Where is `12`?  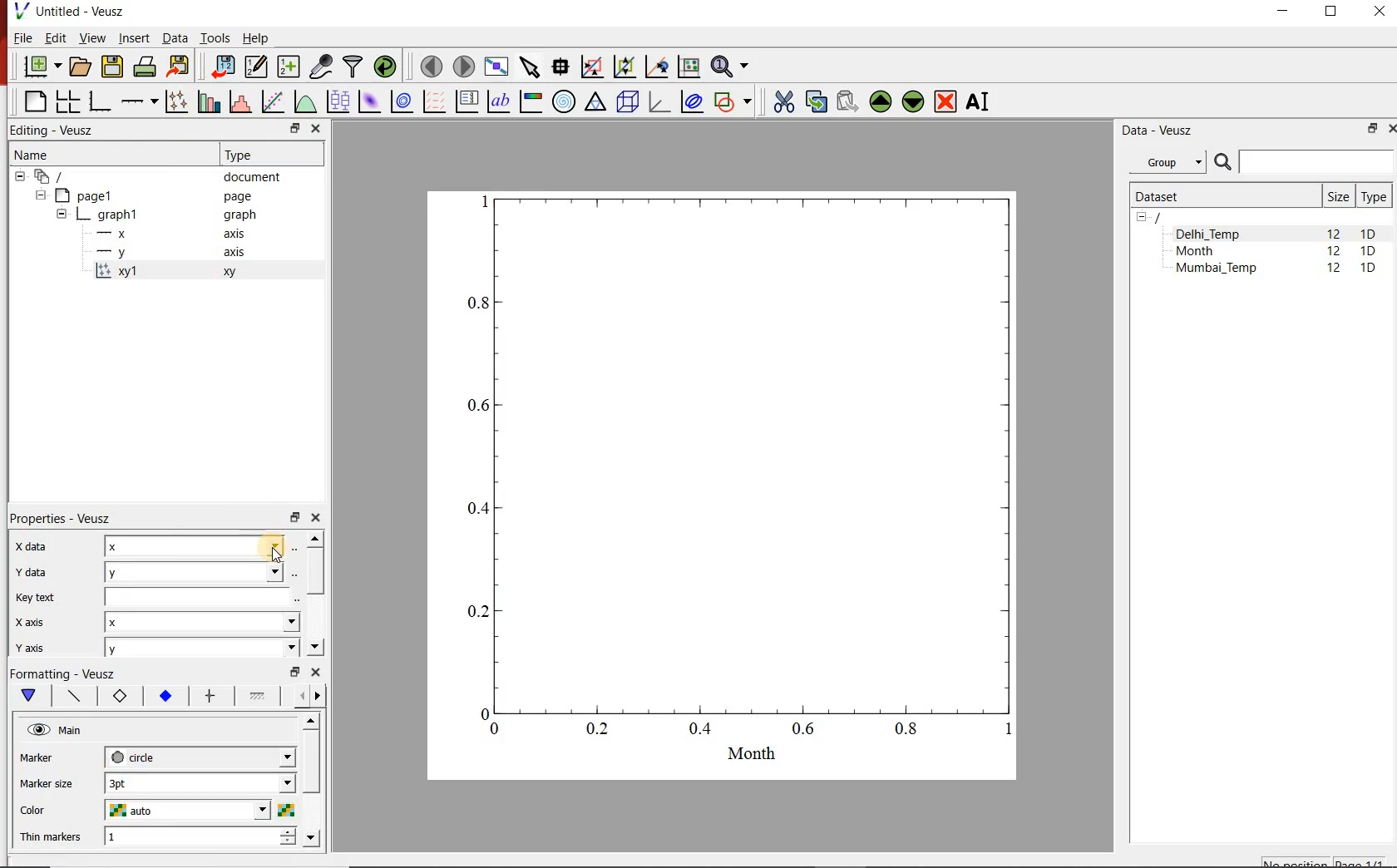 12 is located at coordinates (1334, 253).